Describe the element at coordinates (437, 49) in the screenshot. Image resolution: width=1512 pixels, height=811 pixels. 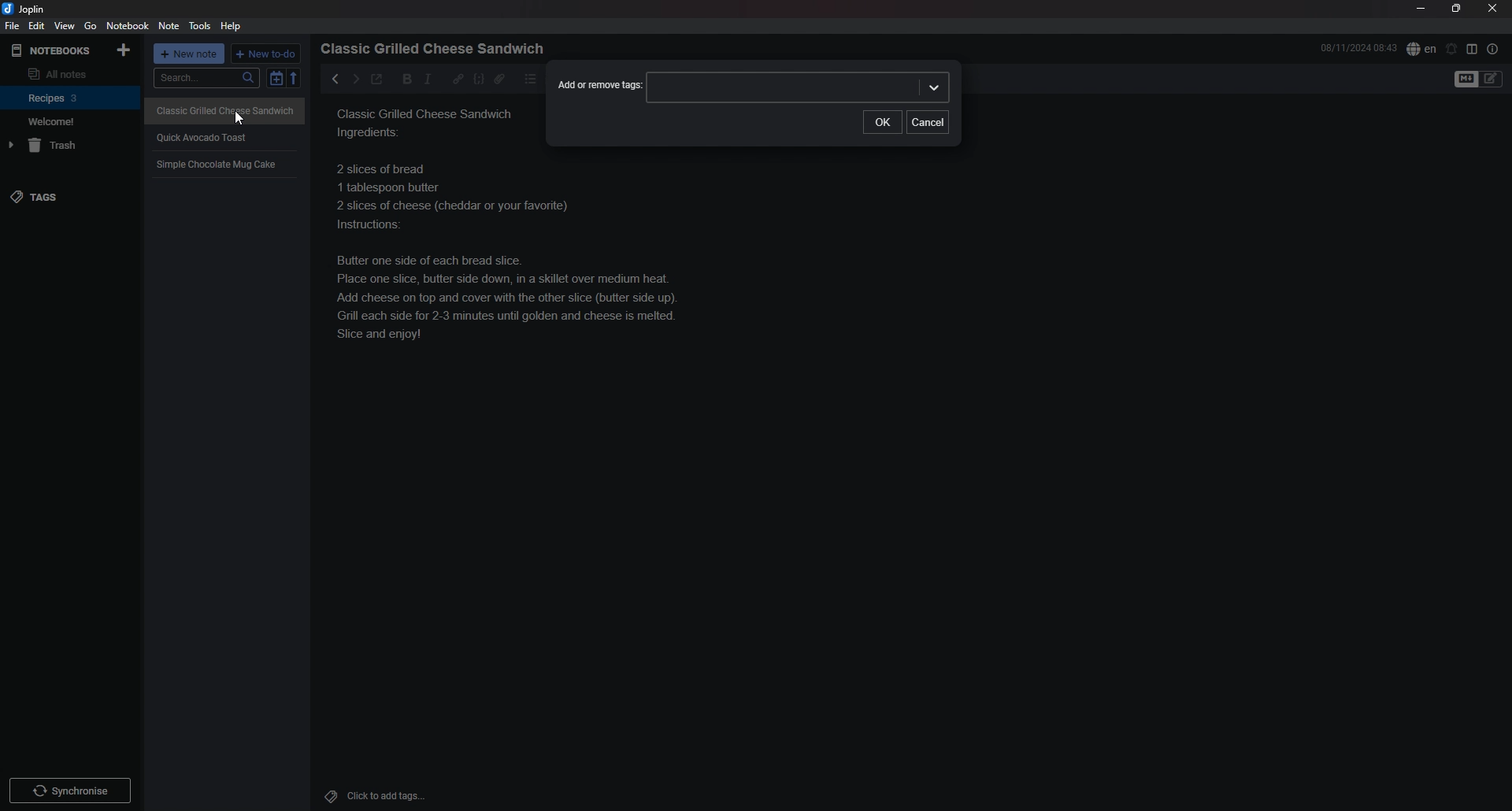
I see `heading` at that location.